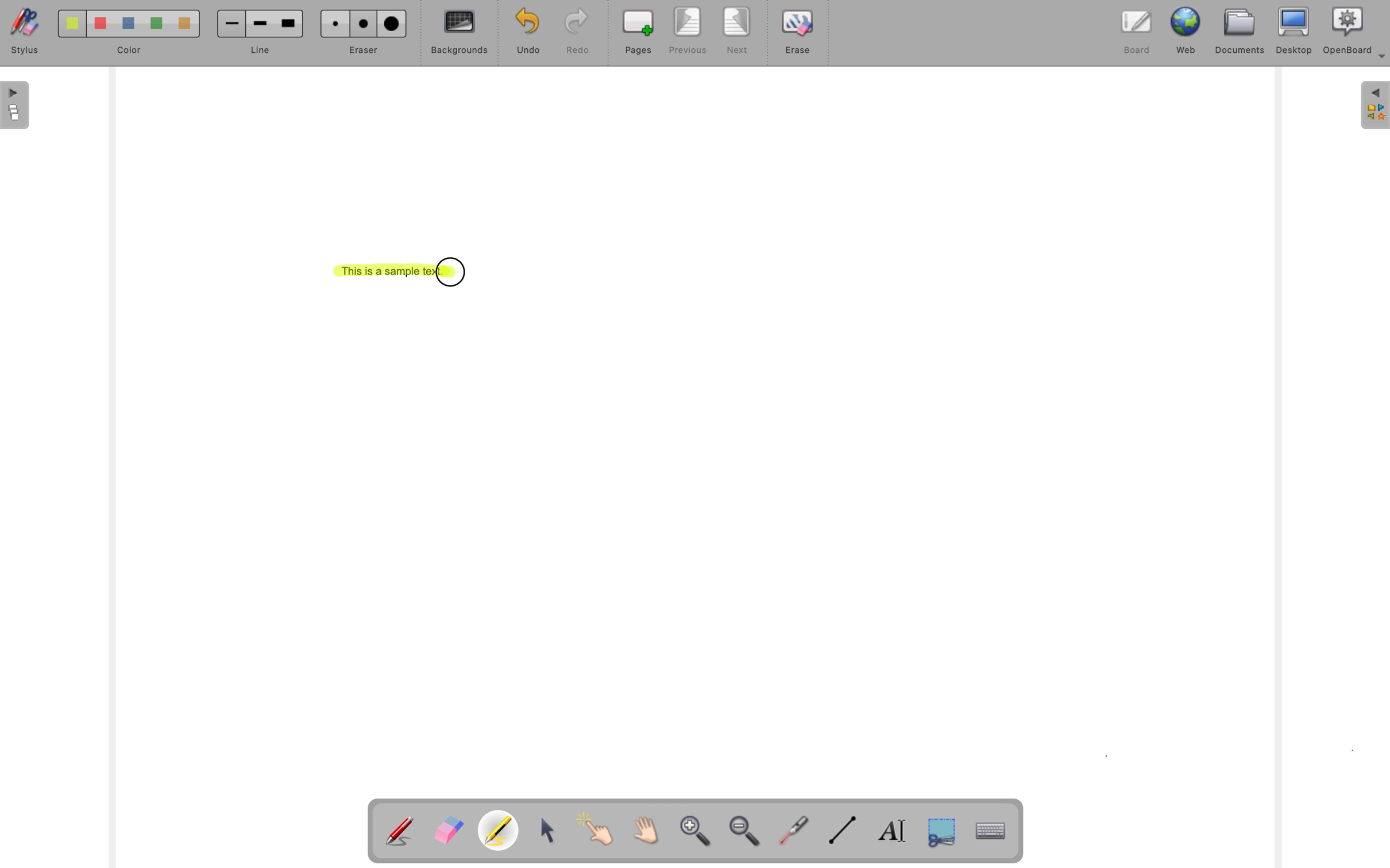 Image resolution: width=1390 pixels, height=868 pixels. What do you see at coordinates (747, 831) in the screenshot?
I see `zoom out` at bounding box center [747, 831].